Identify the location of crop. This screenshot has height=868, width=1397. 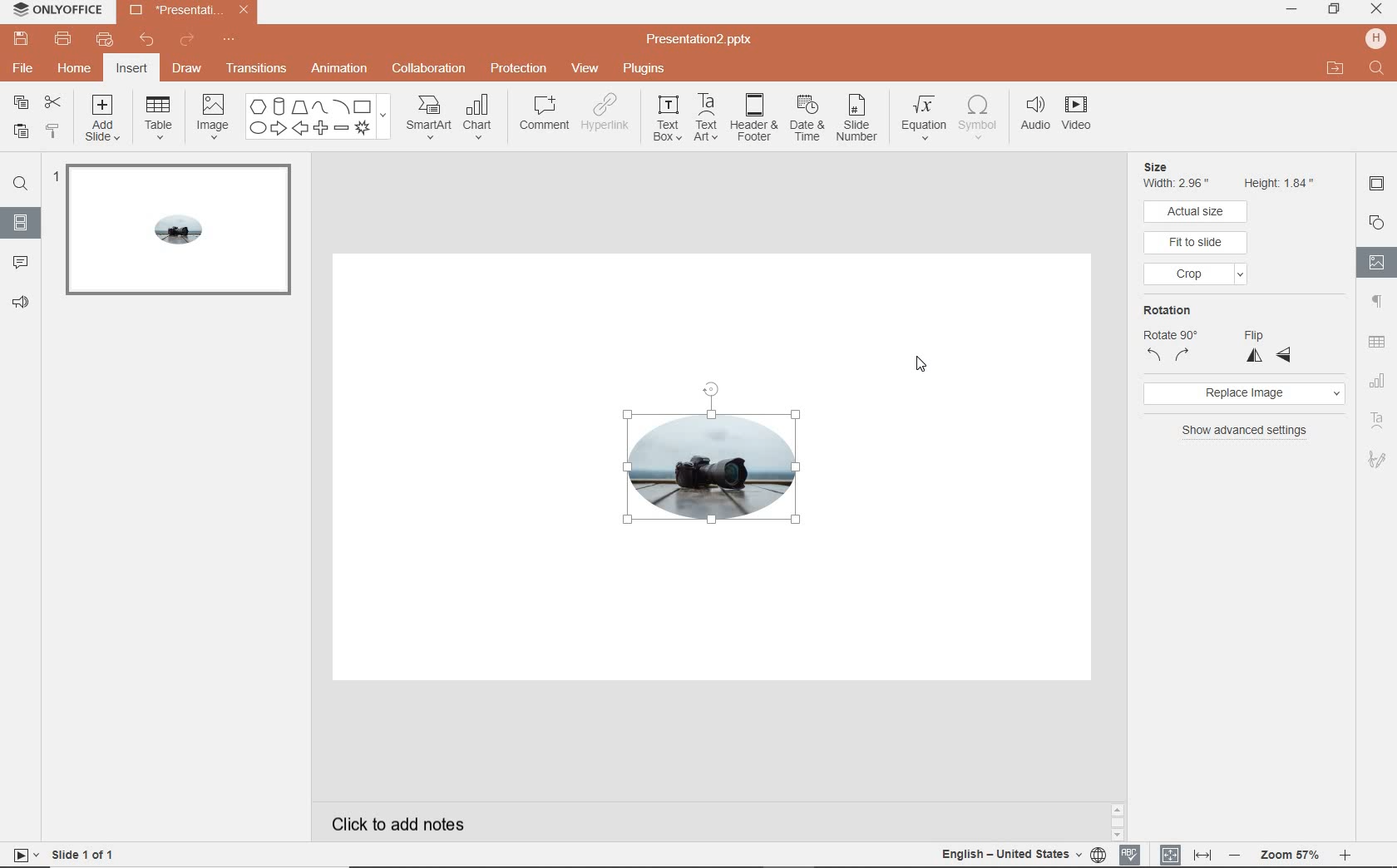
(1198, 277).